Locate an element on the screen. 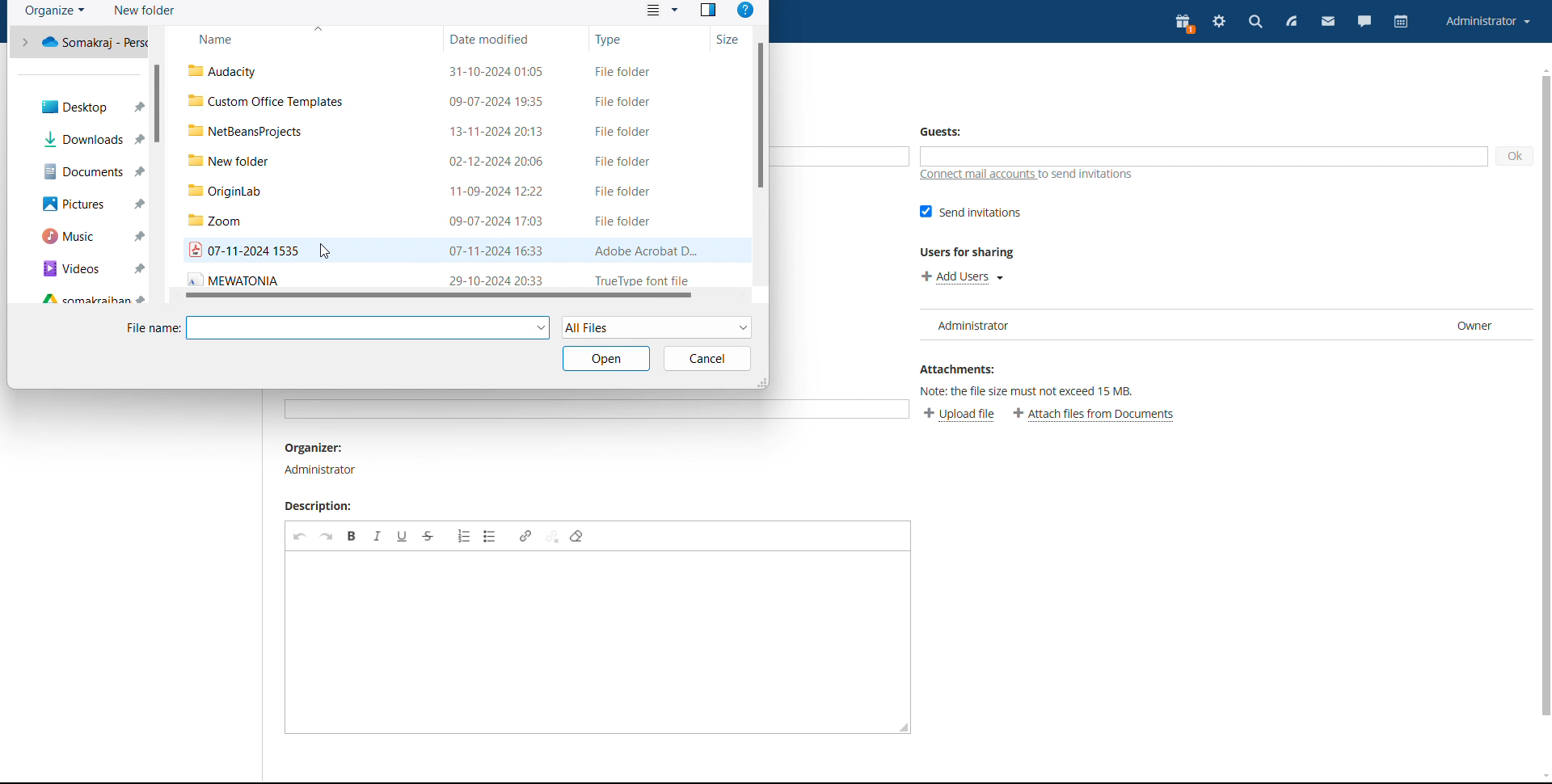  type is located at coordinates (647, 37).